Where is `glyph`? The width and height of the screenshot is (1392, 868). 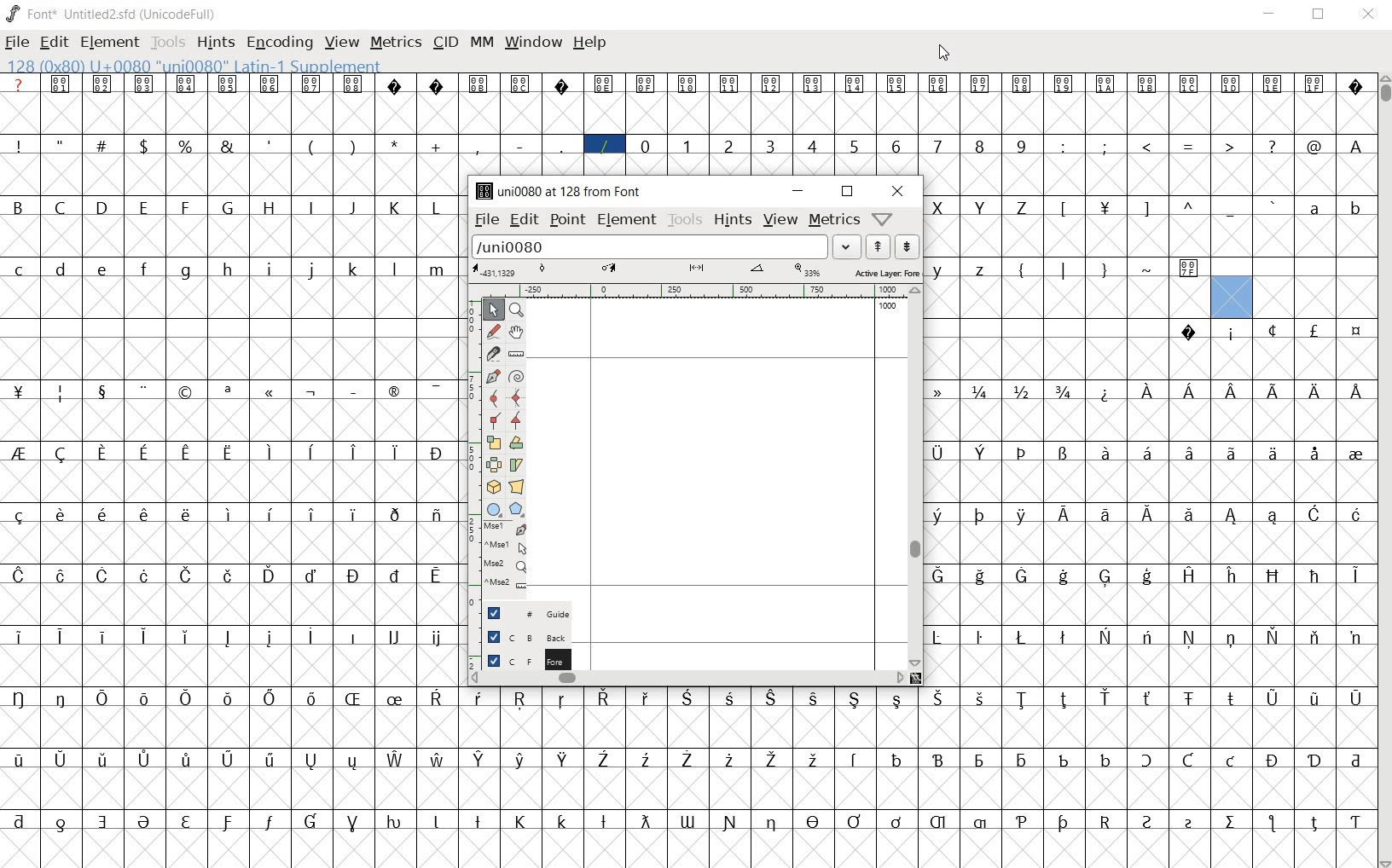
glyph is located at coordinates (1190, 515).